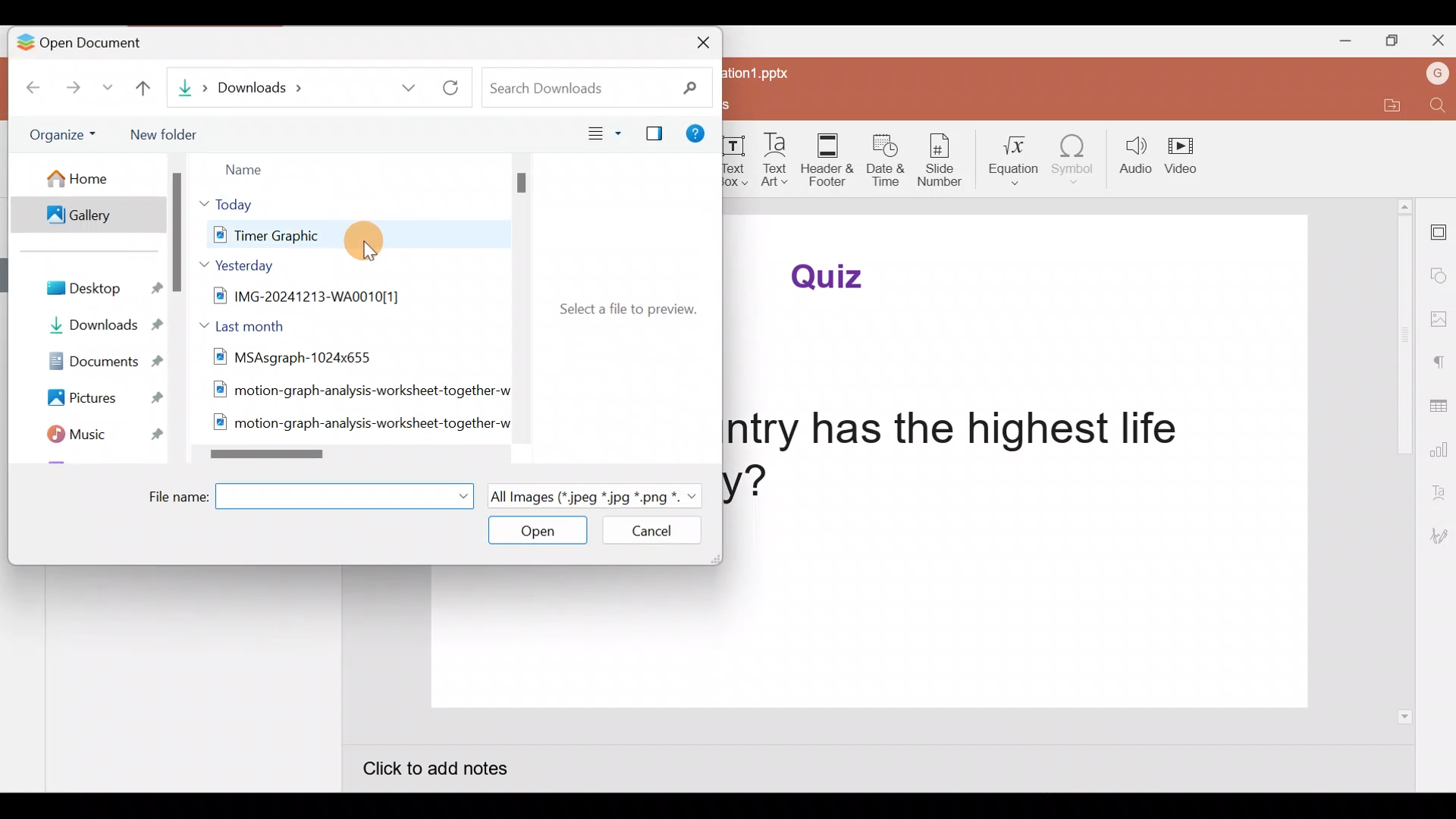 This screenshot has height=819, width=1456. I want to click on More, so click(111, 92).